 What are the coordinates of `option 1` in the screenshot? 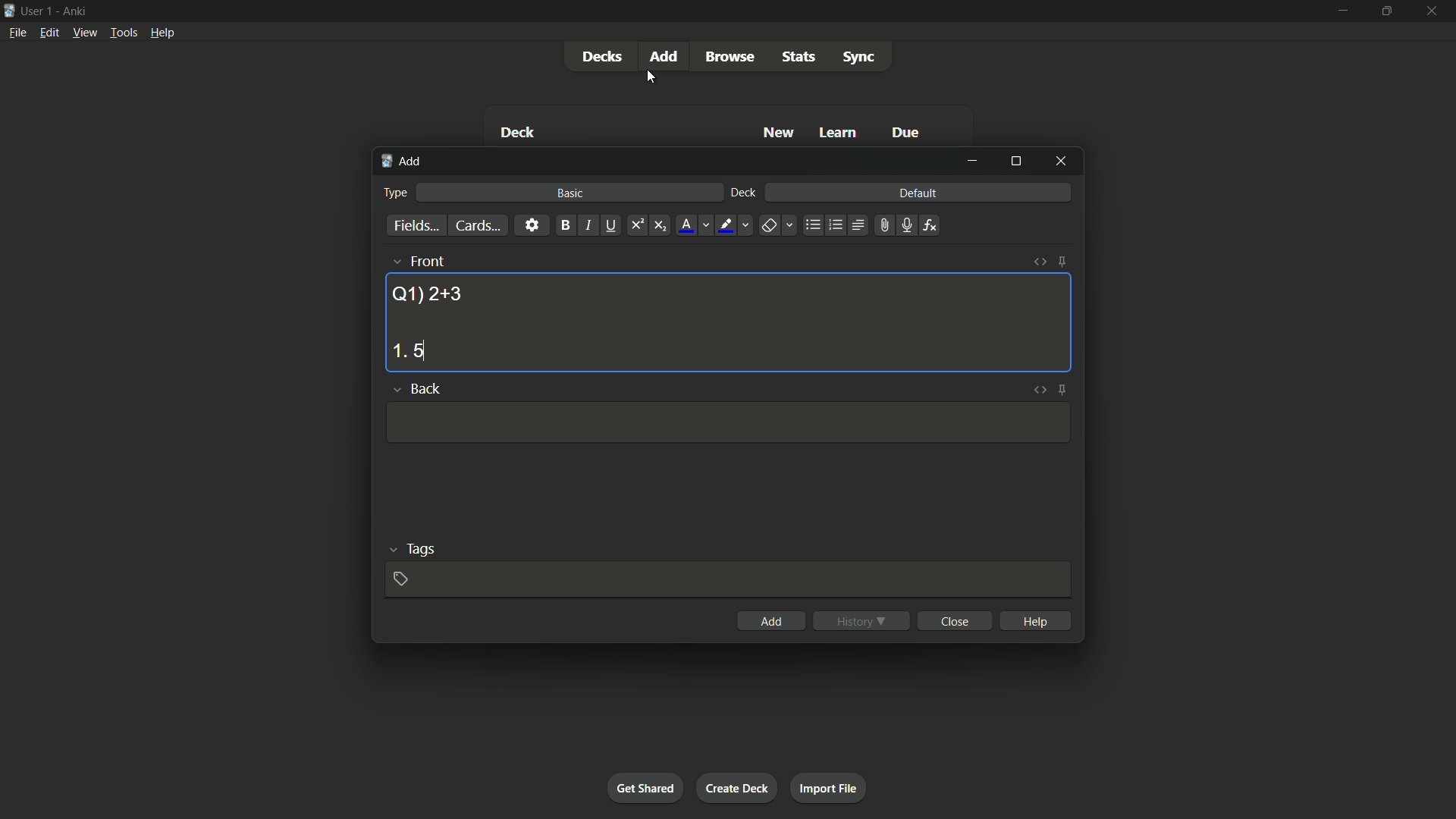 It's located at (408, 350).